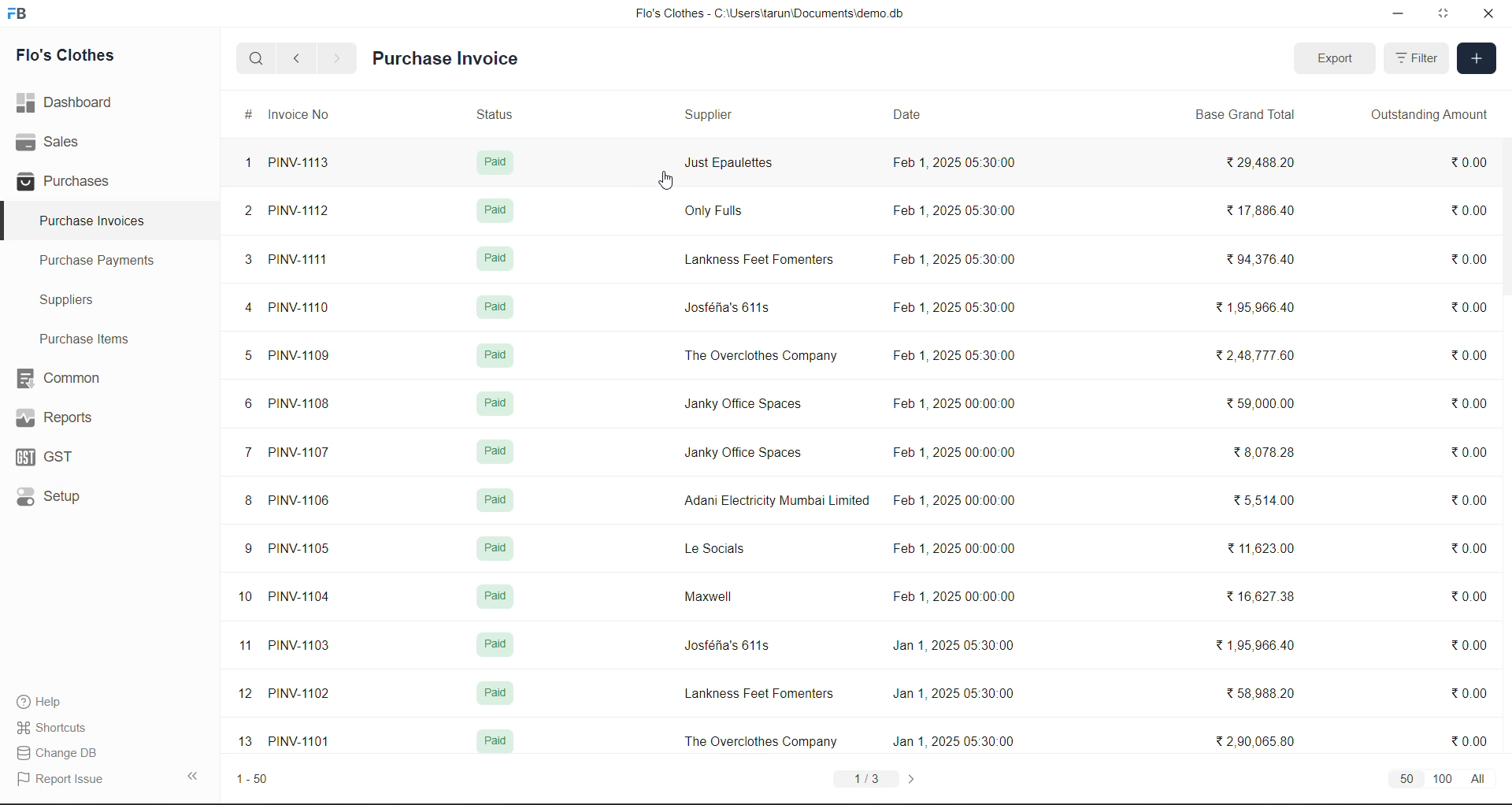 This screenshot has width=1512, height=805. What do you see at coordinates (499, 692) in the screenshot?
I see `` at bounding box center [499, 692].